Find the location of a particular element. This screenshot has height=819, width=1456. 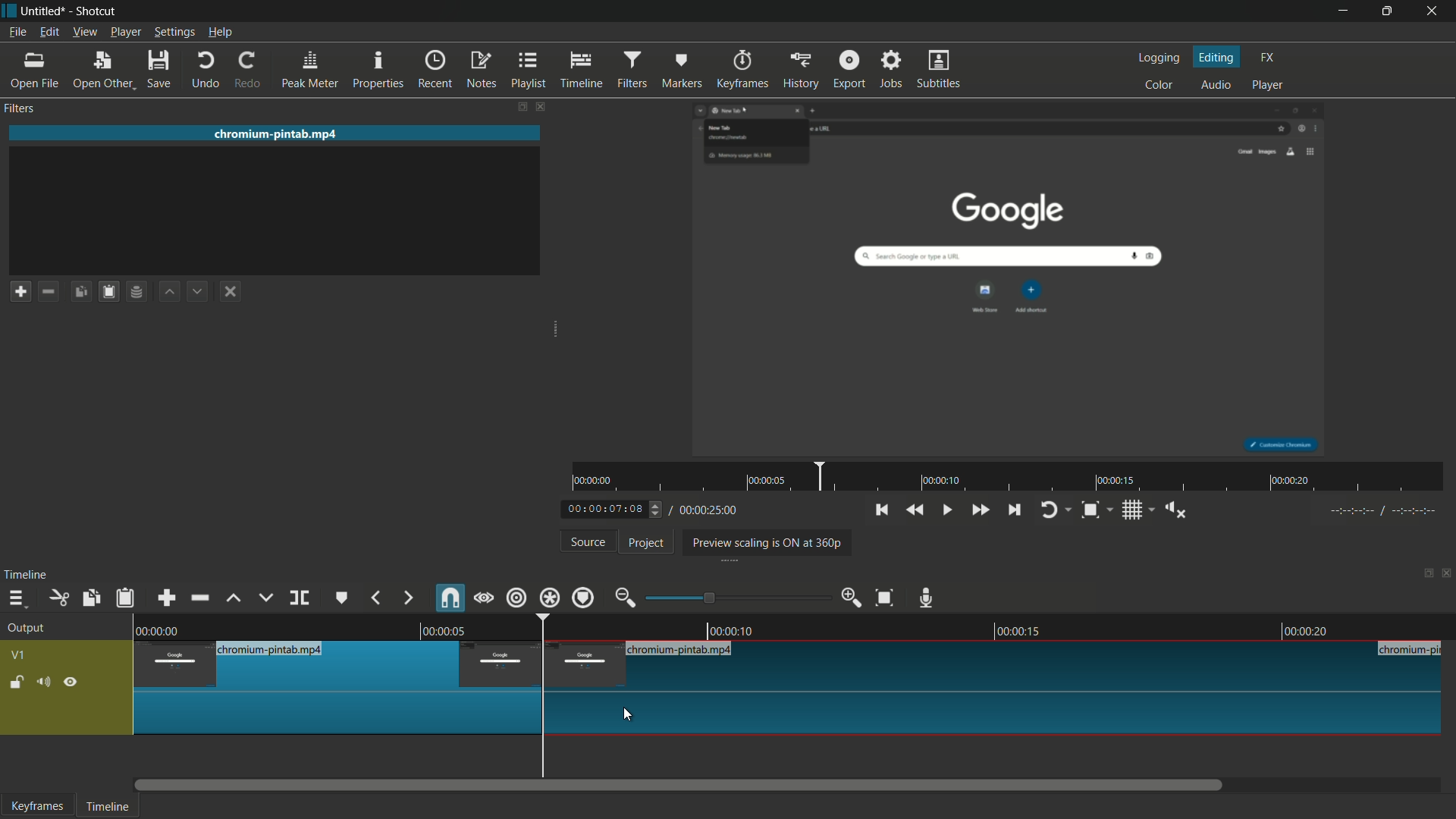

playlist is located at coordinates (529, 69).